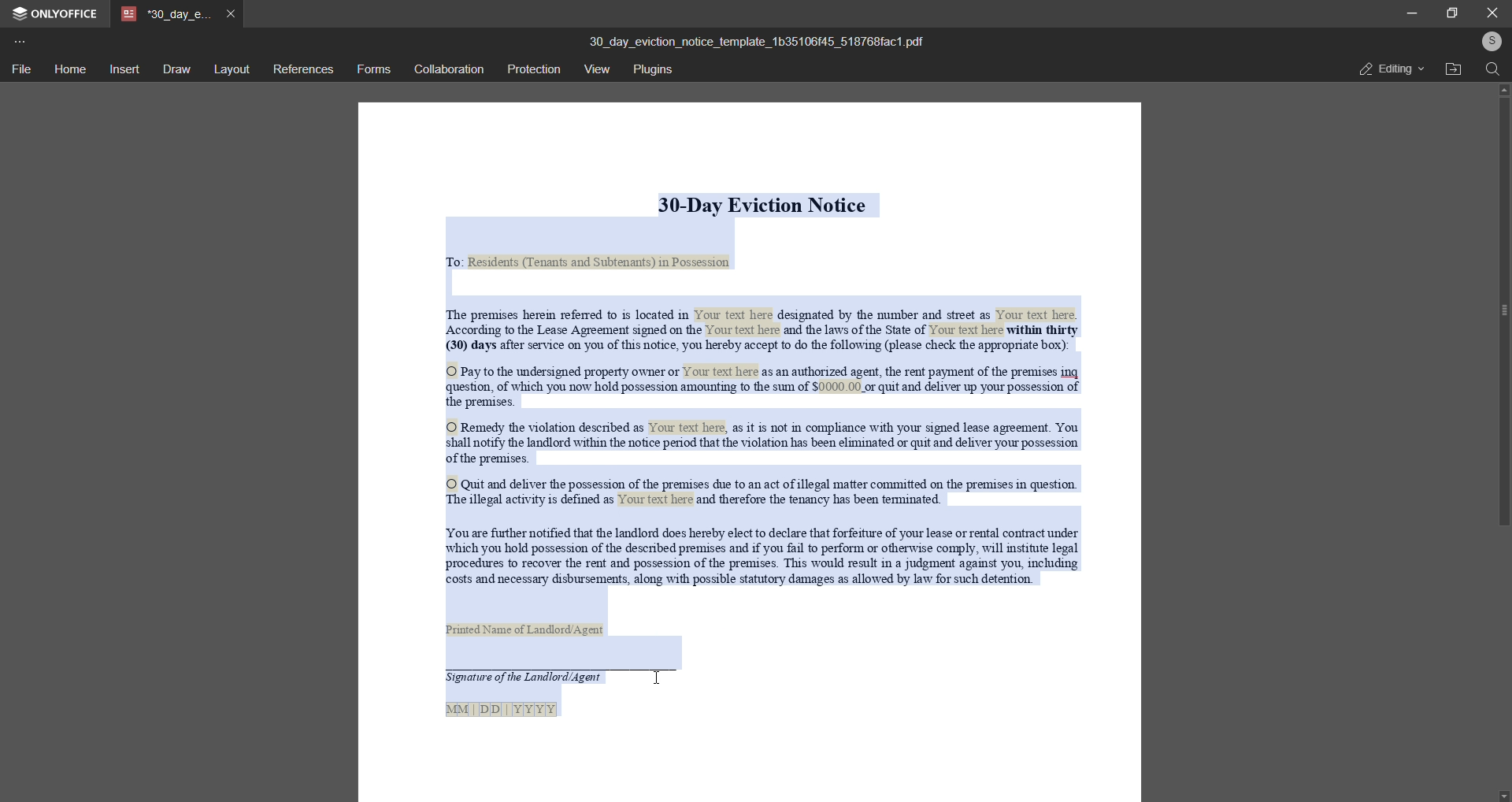 Image resolution: width=1512 pixels, height=802 pixels. I want to click on scroll up, so click(1501, 90).